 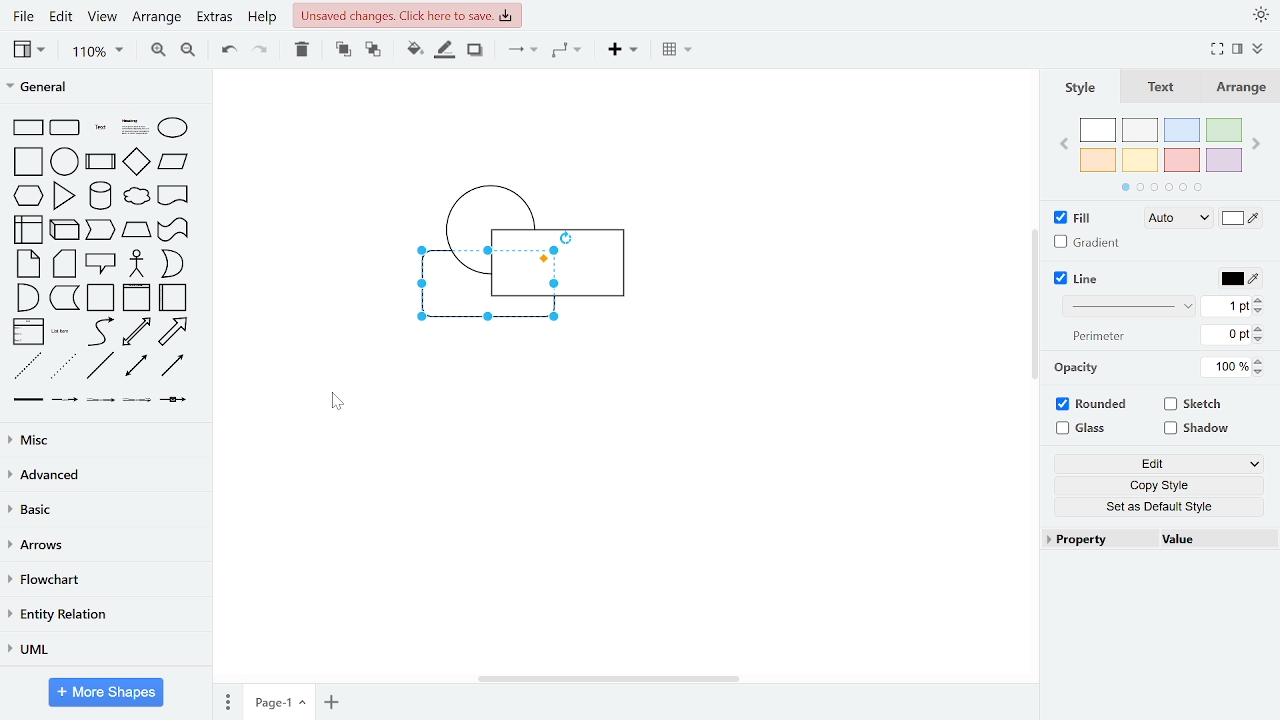 What do you see at coordinates (337, 402) in the screenshot?
I see `Cursor` at bounding box center [337, 402].